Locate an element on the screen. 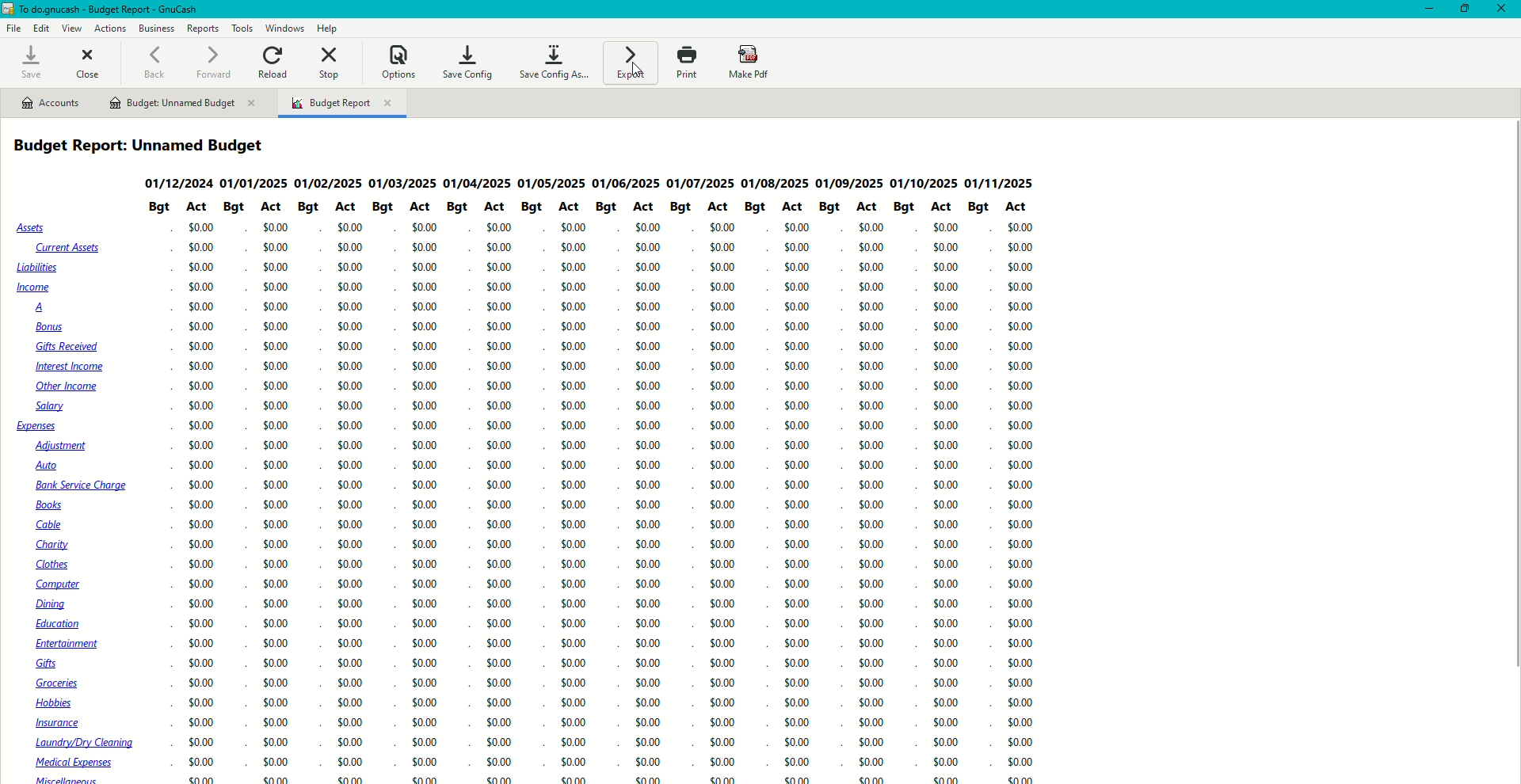  $0.00 is located at coordinates (501, 466).